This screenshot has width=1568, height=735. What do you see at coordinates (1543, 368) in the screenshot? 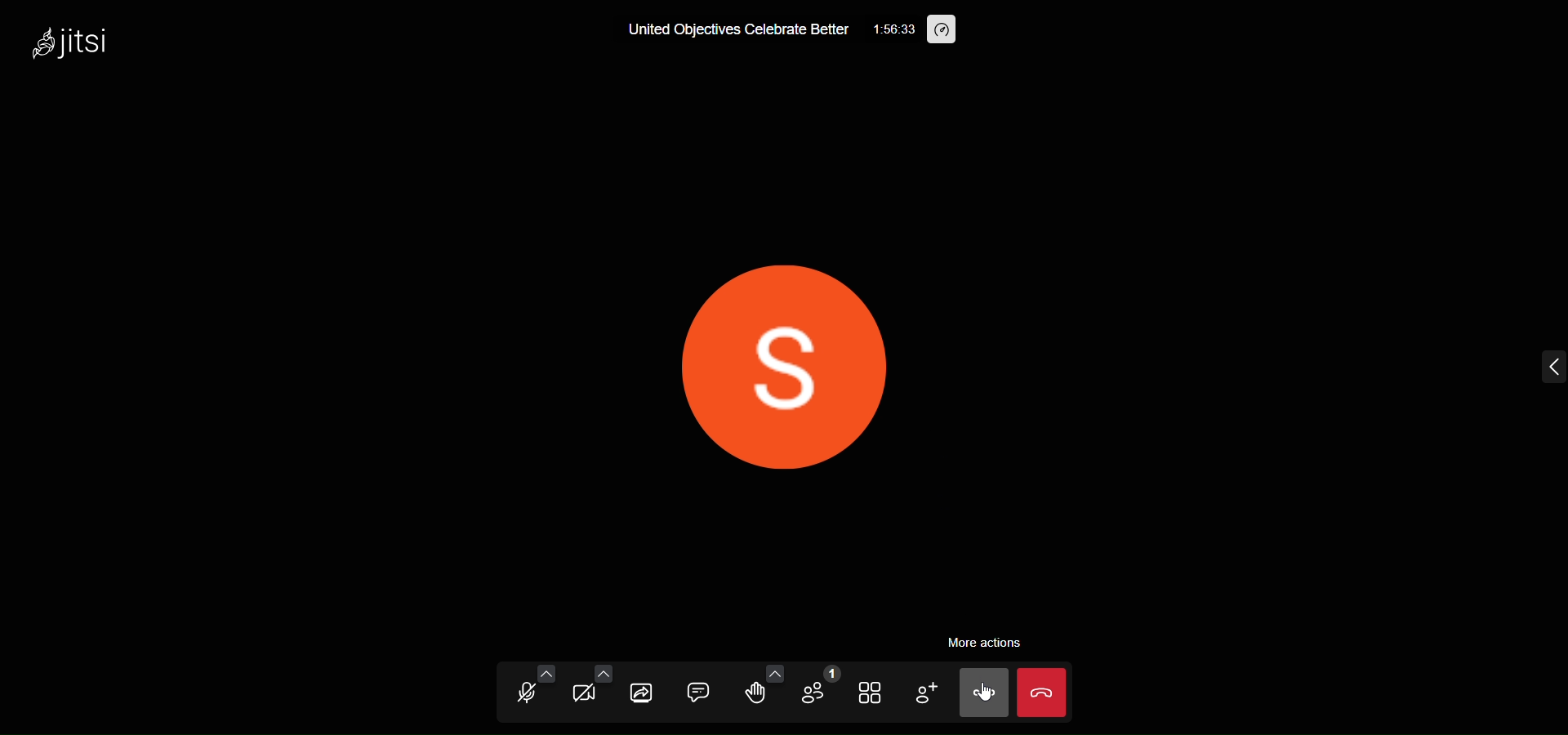
I see `expand` at bounding box center [1543, 368].